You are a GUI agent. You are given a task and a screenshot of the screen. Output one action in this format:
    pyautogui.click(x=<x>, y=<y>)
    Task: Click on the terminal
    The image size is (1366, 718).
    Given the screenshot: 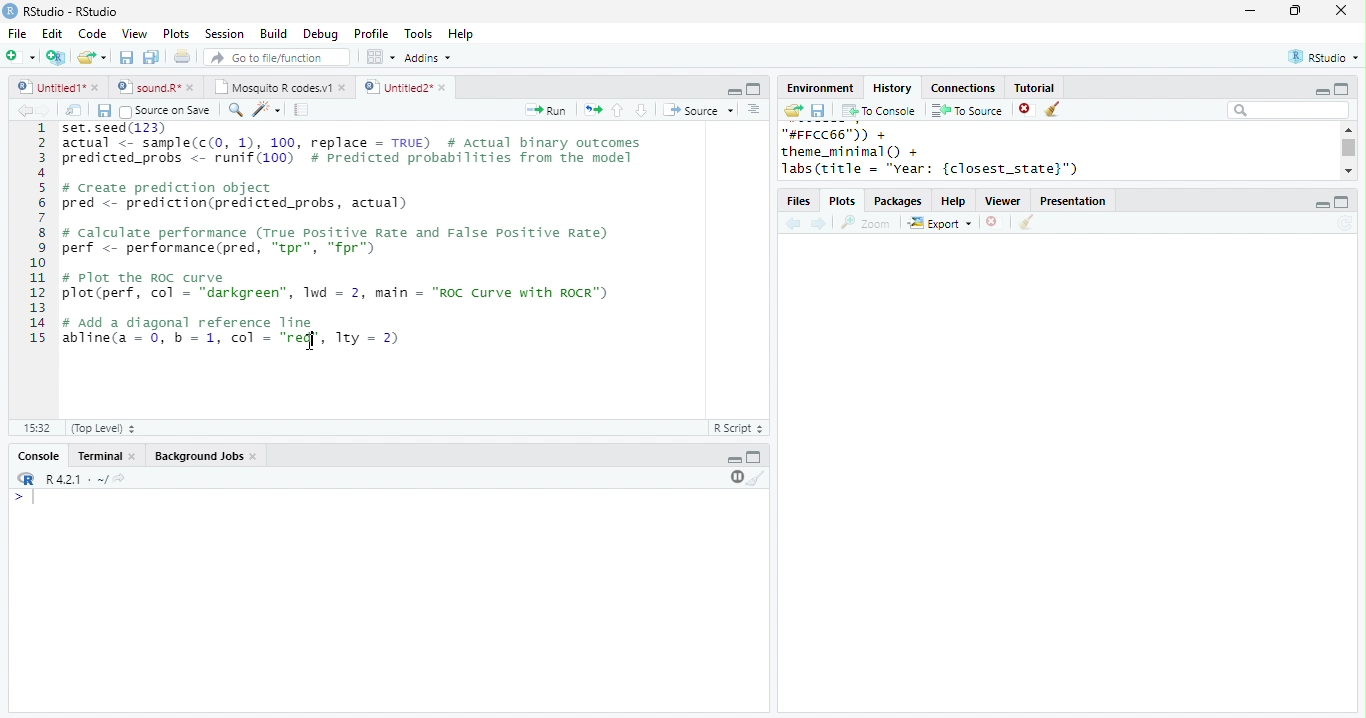 What is the action you would take?
    pyautogui.click(x=97, y=457)
    